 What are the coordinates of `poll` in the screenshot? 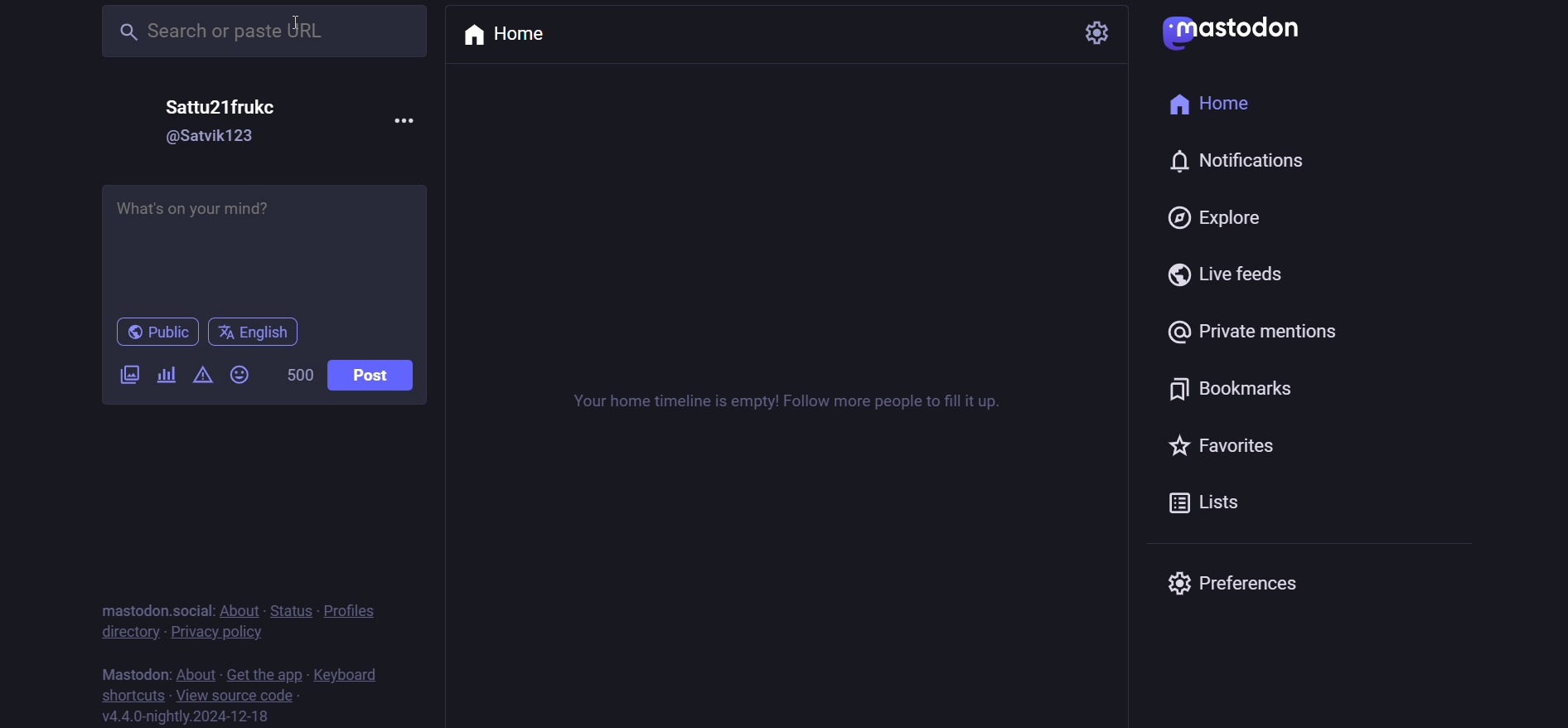 It's located at (166, 376).